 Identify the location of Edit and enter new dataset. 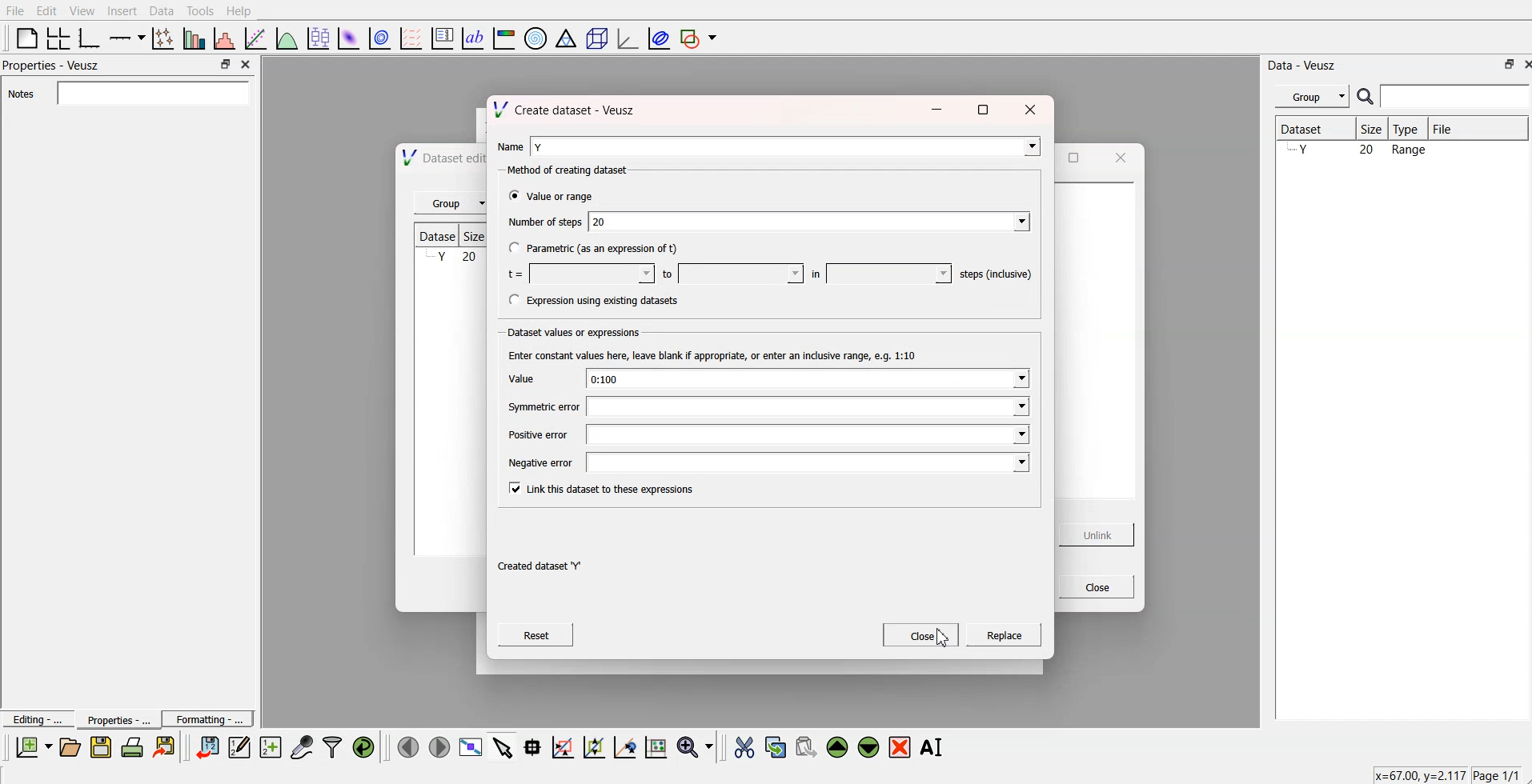
(237, 747).